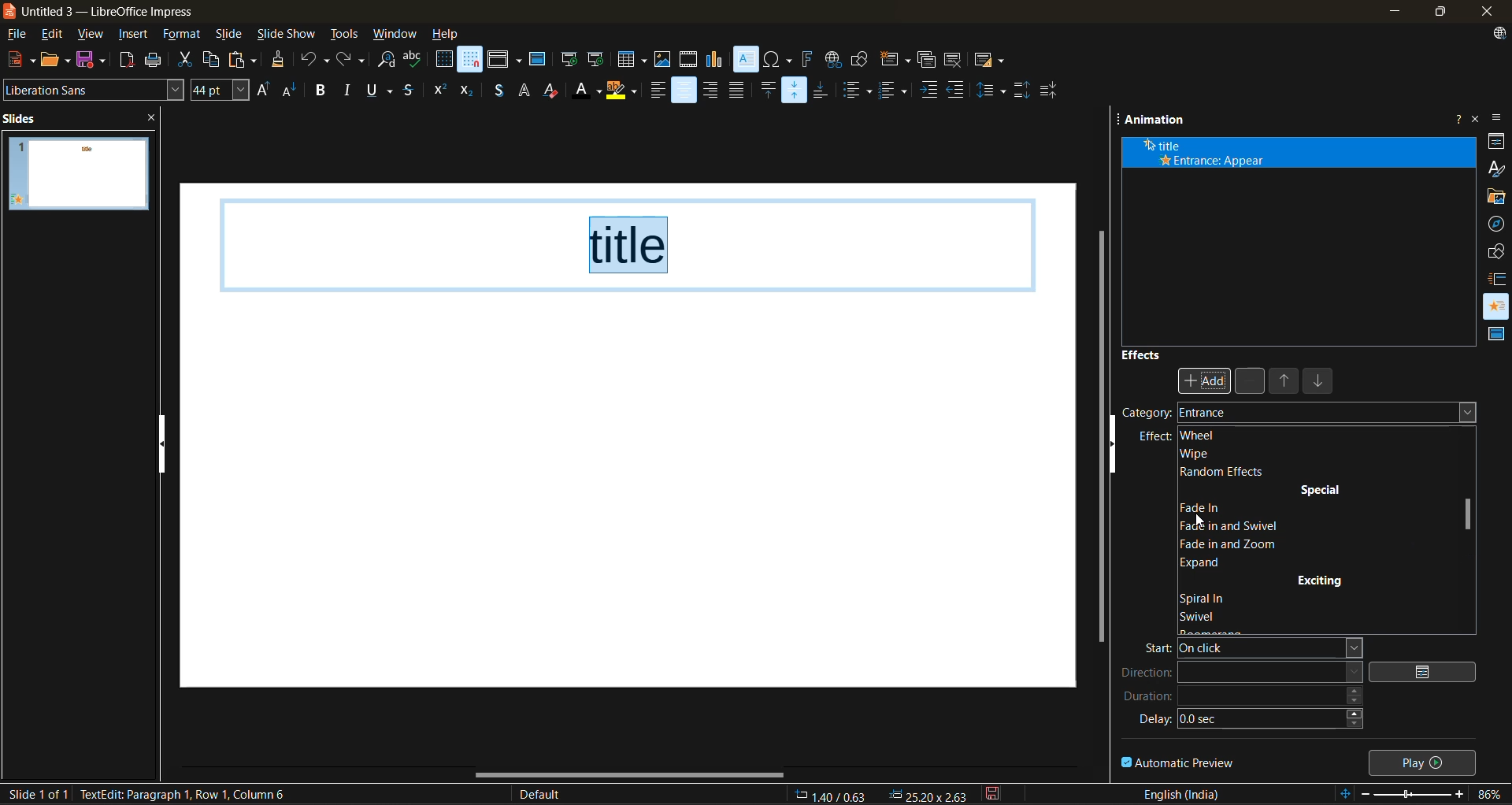 This screenshot has height=805, width=1512. What do you see at coordinates (216, 60) in the screenshot?
I see `copy` at bounding box center [216, 60].